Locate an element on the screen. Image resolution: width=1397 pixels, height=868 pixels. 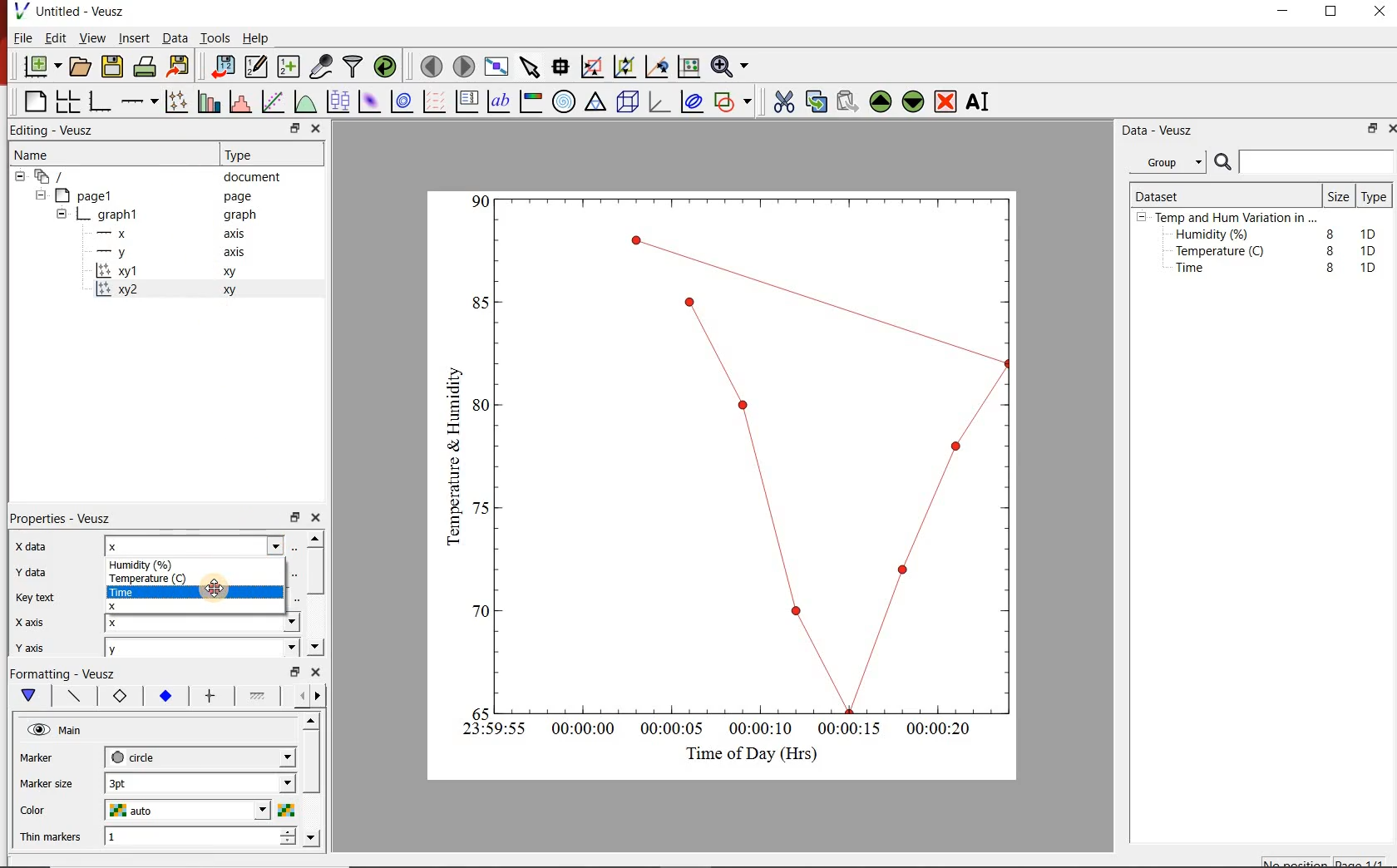
Thin Markers is located at coordinates (53, 838).